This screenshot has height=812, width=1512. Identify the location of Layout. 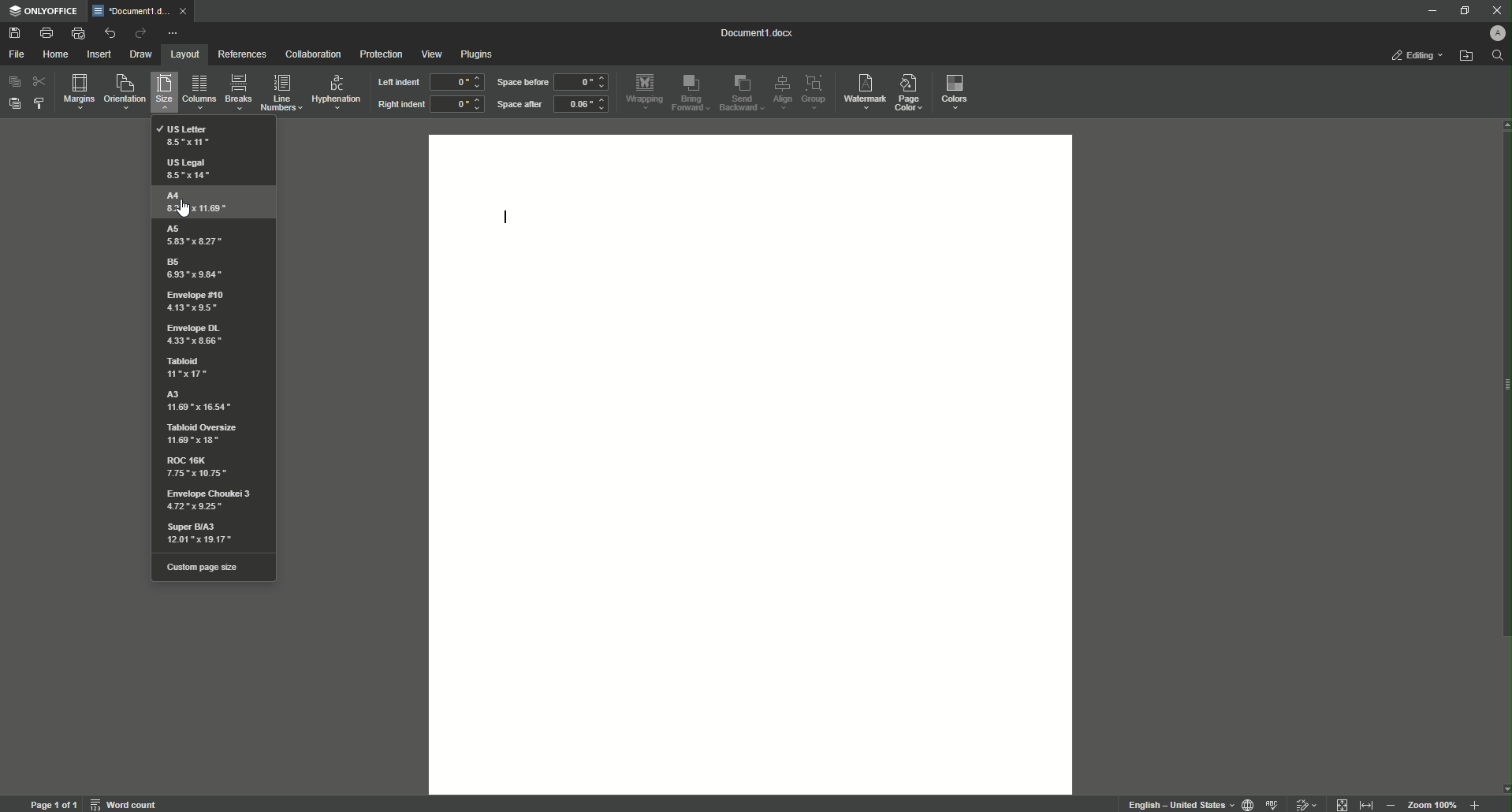
(181, 54).